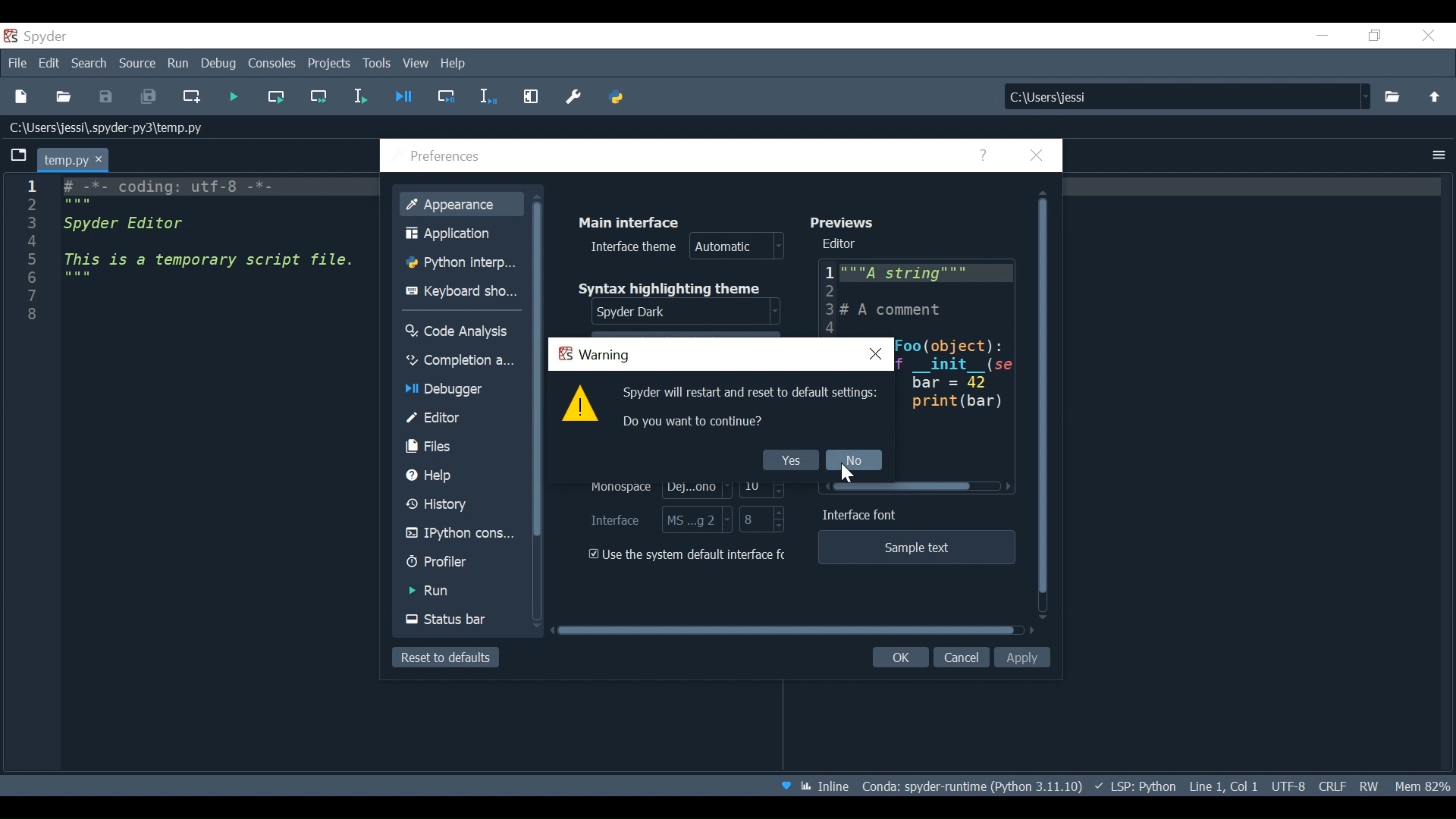 Image resolution: width=1456 pixels, height=819 pixels. I want to click on Run current cell and go to the next one, so click(320, 97).